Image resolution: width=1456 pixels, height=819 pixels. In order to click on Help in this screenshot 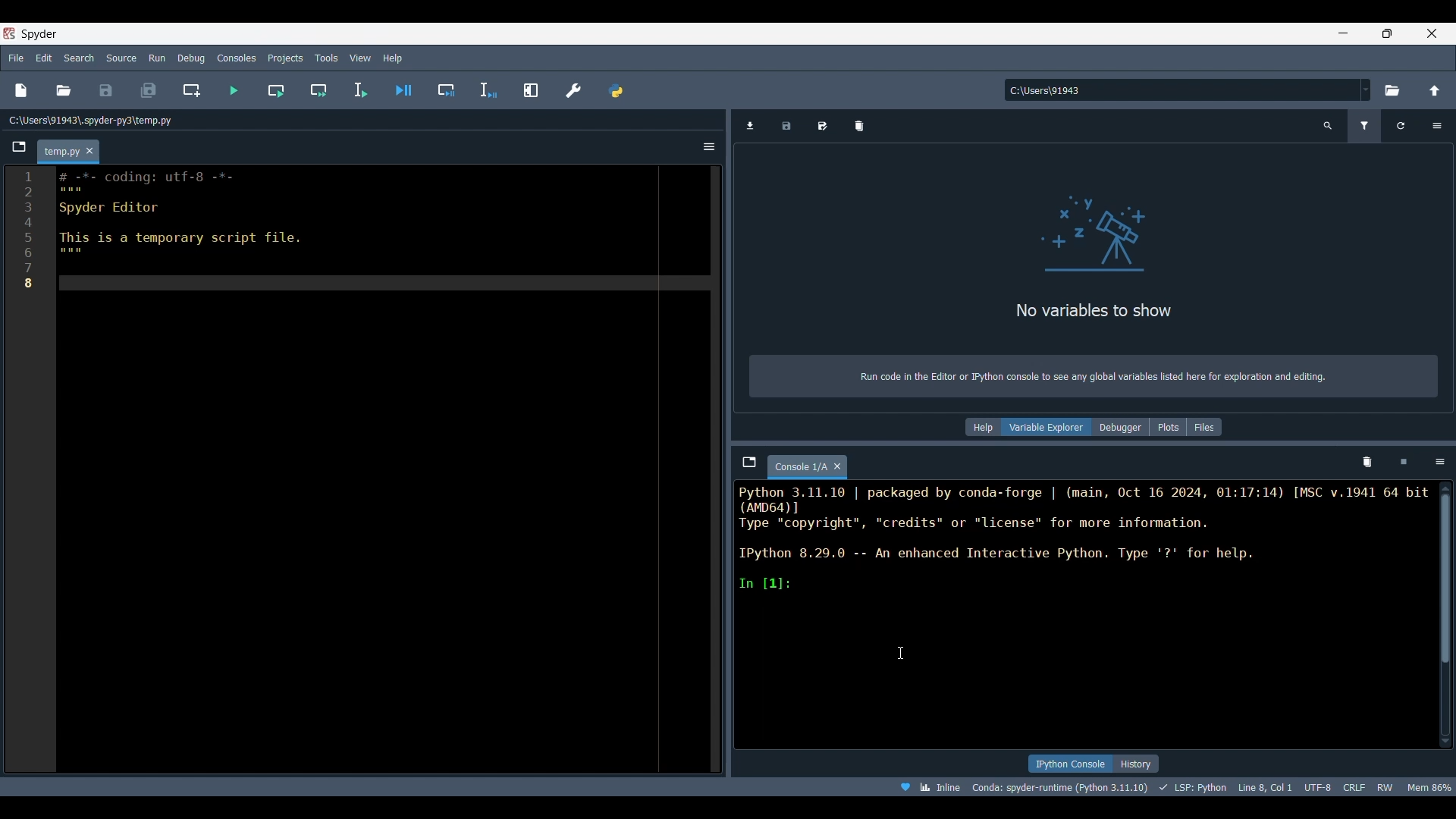, I will do `click(982, 428)`.